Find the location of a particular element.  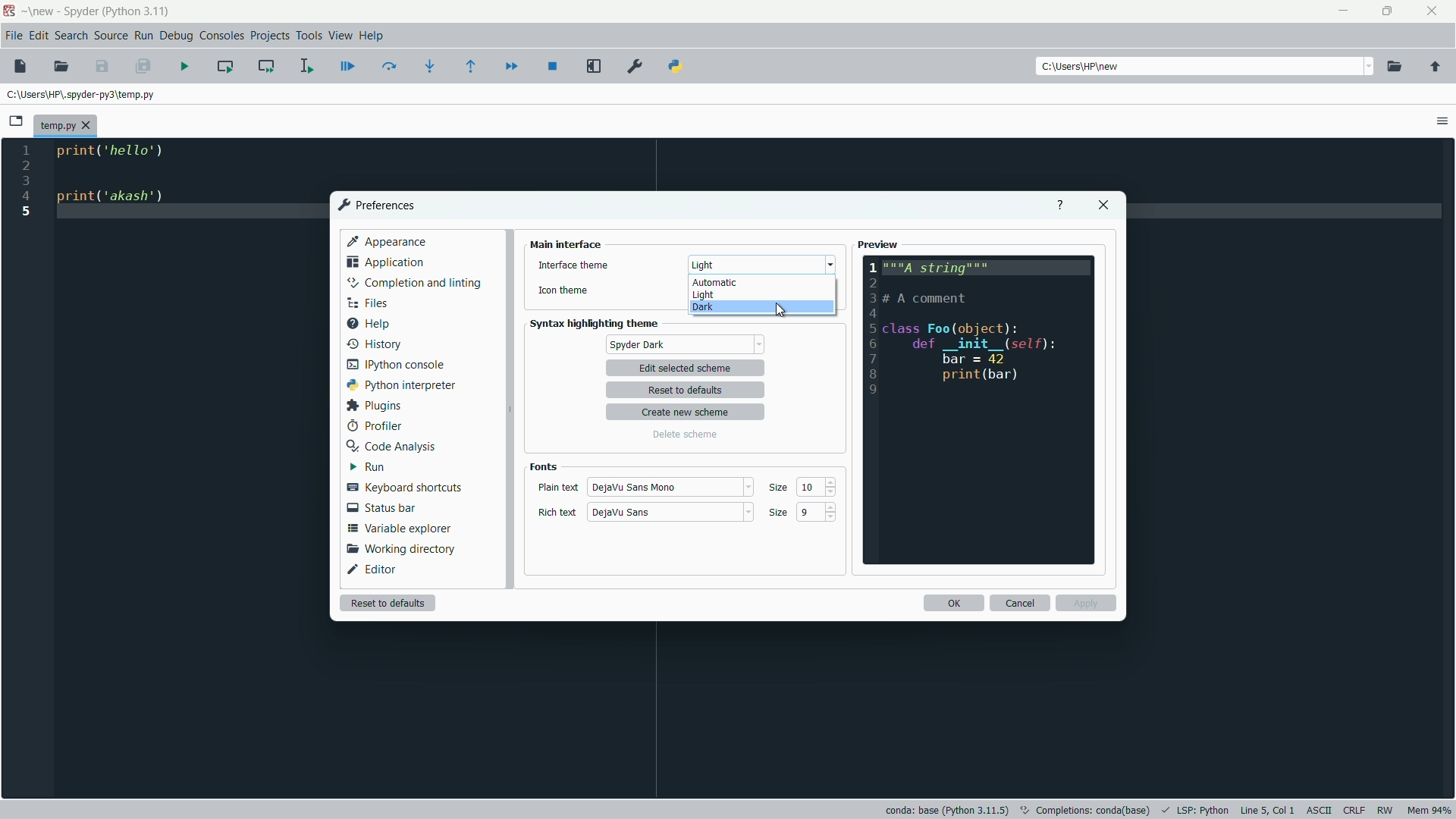

run current cell and go to the next one is located at coordinates (265, 66).